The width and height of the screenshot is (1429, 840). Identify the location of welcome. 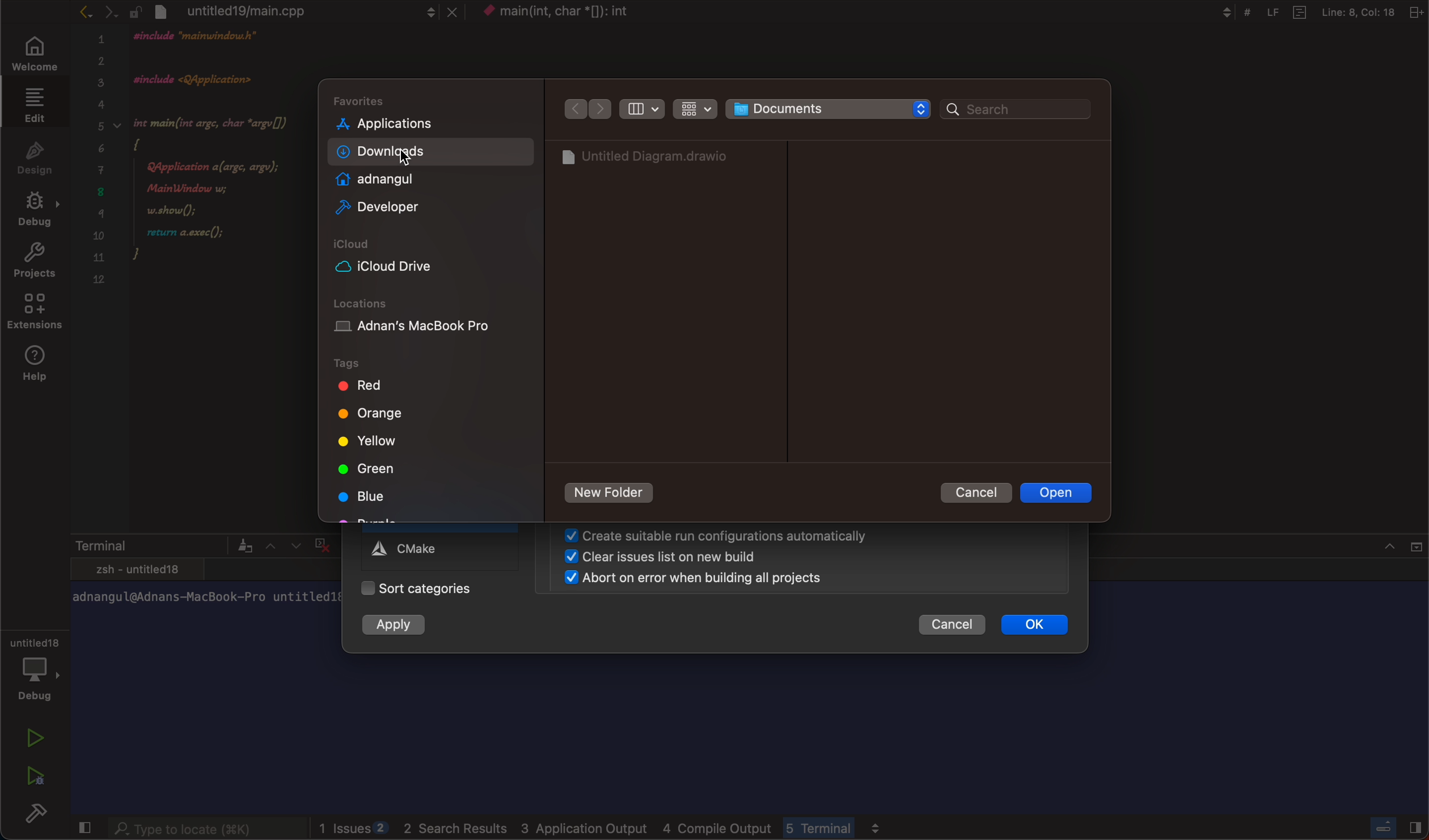
(35, 54).